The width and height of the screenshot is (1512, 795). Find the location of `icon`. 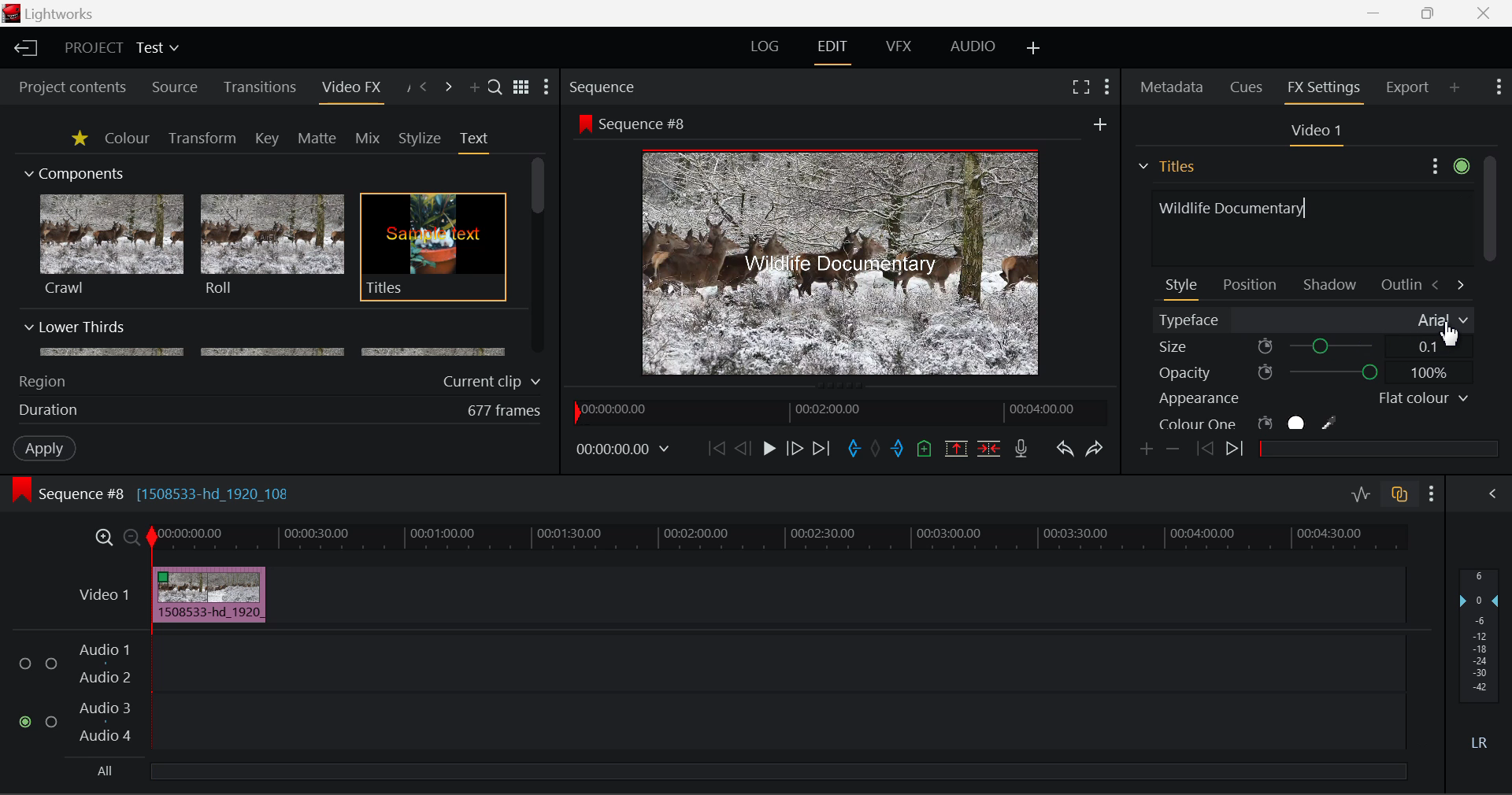

icon is located at coordinates (20, 490).